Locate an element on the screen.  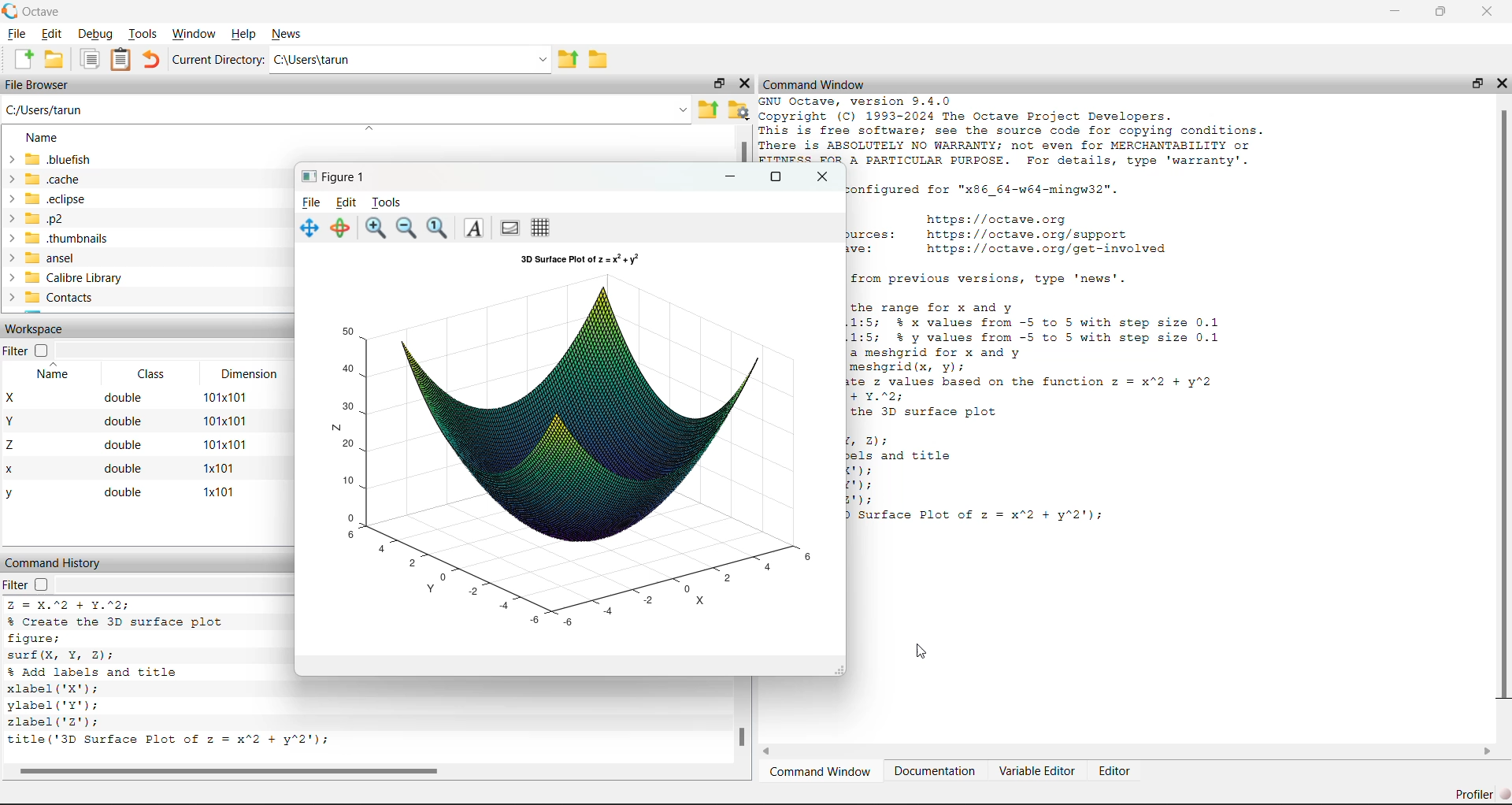
Folder Settings is located at coordinates (738, 109).